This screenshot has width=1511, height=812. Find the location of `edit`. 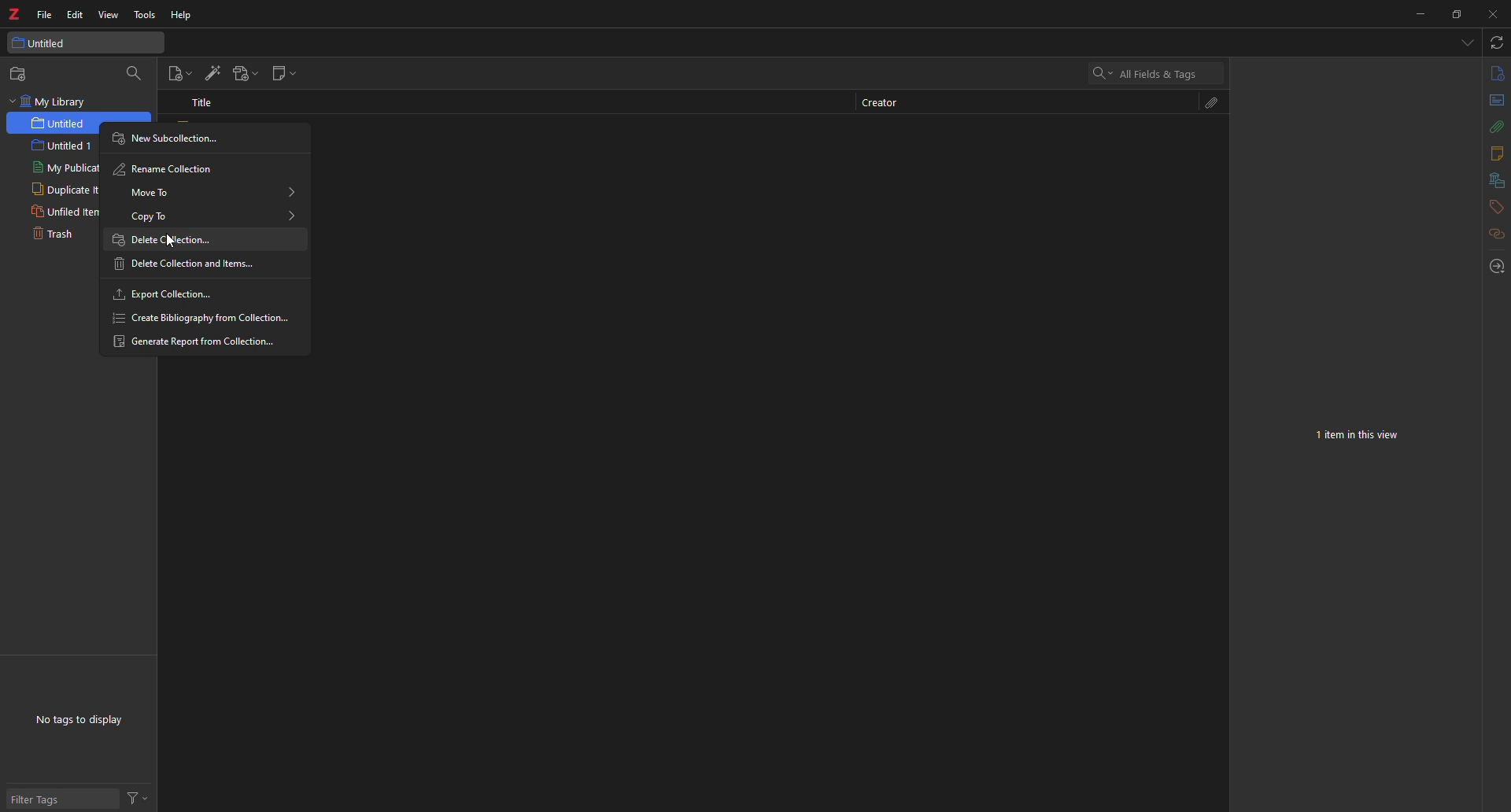

edit is located at coordinates (76, 16).